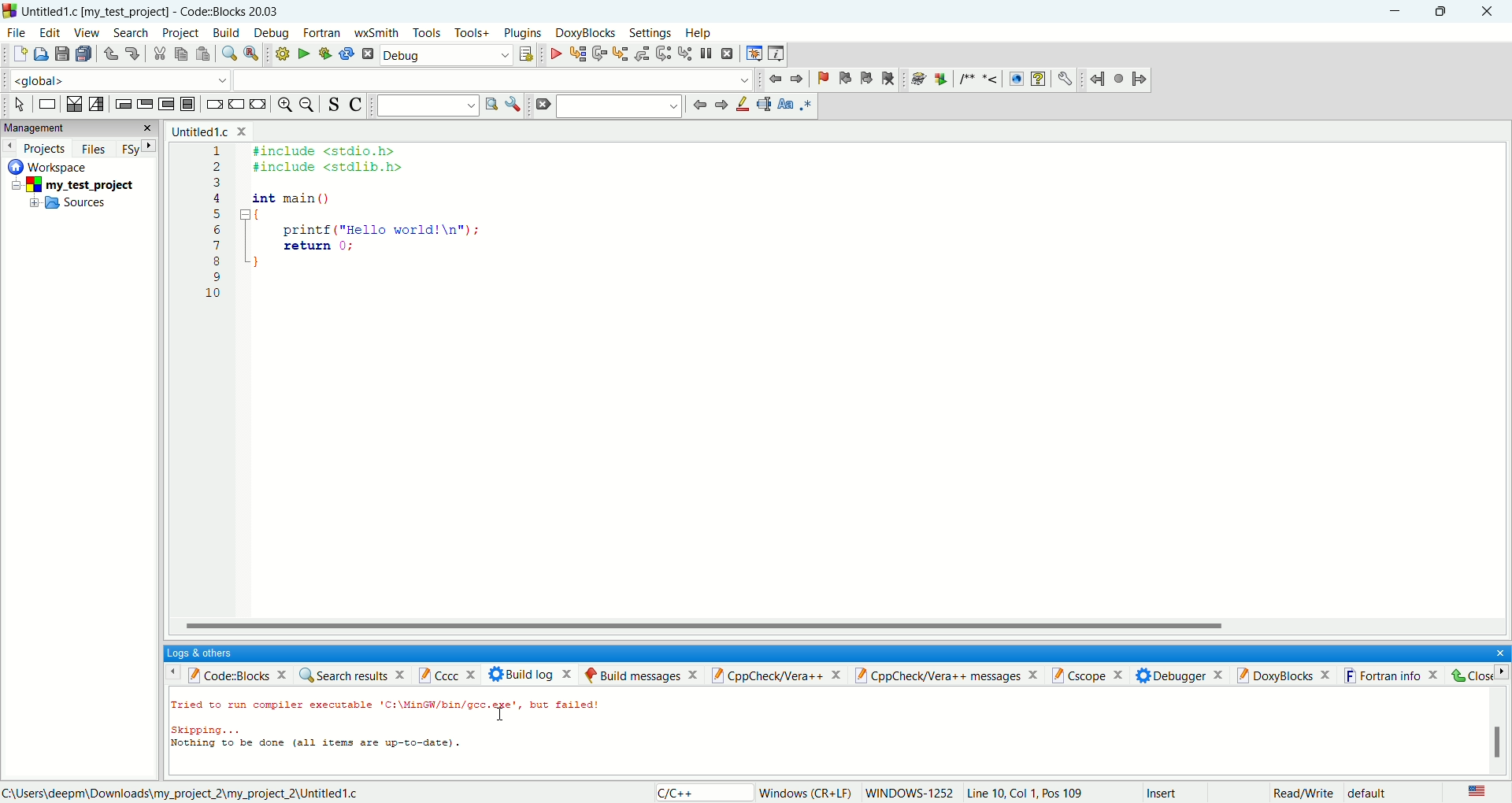 This screenshot has height=803, width=1512. What do you see at coordinates (1476, 675) in the screenshot?
I see `close` at bounding box center [1476, 675].